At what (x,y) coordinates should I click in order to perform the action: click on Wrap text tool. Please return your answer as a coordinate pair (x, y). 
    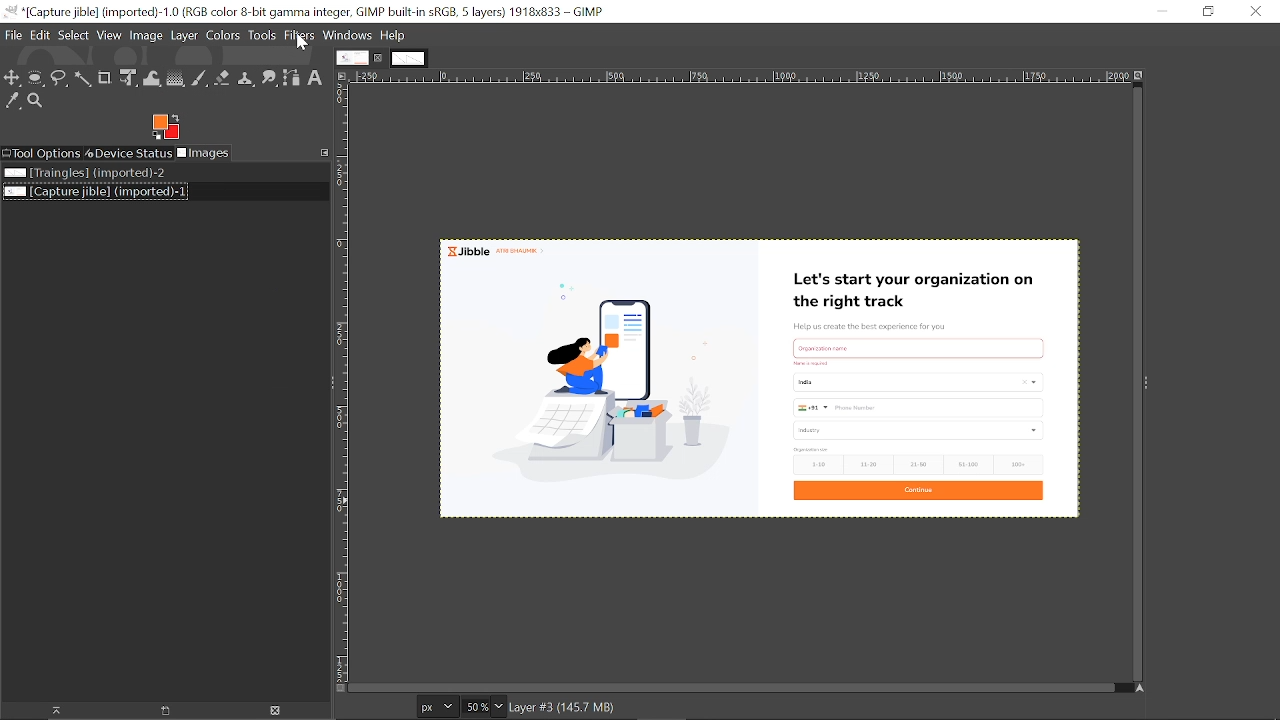
    Looking at the image, I should click on (153, 79).